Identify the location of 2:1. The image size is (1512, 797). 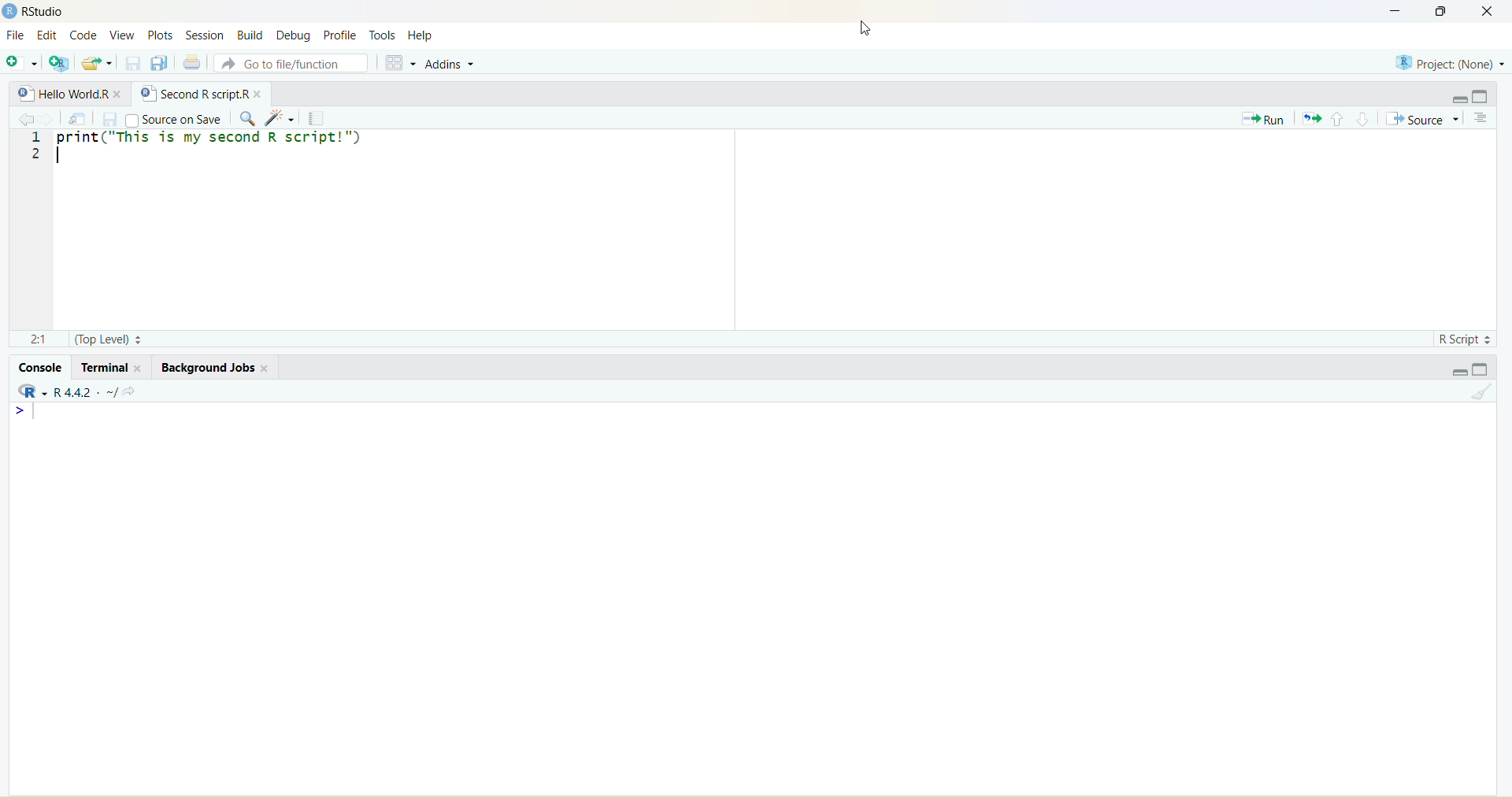
(35, 336).